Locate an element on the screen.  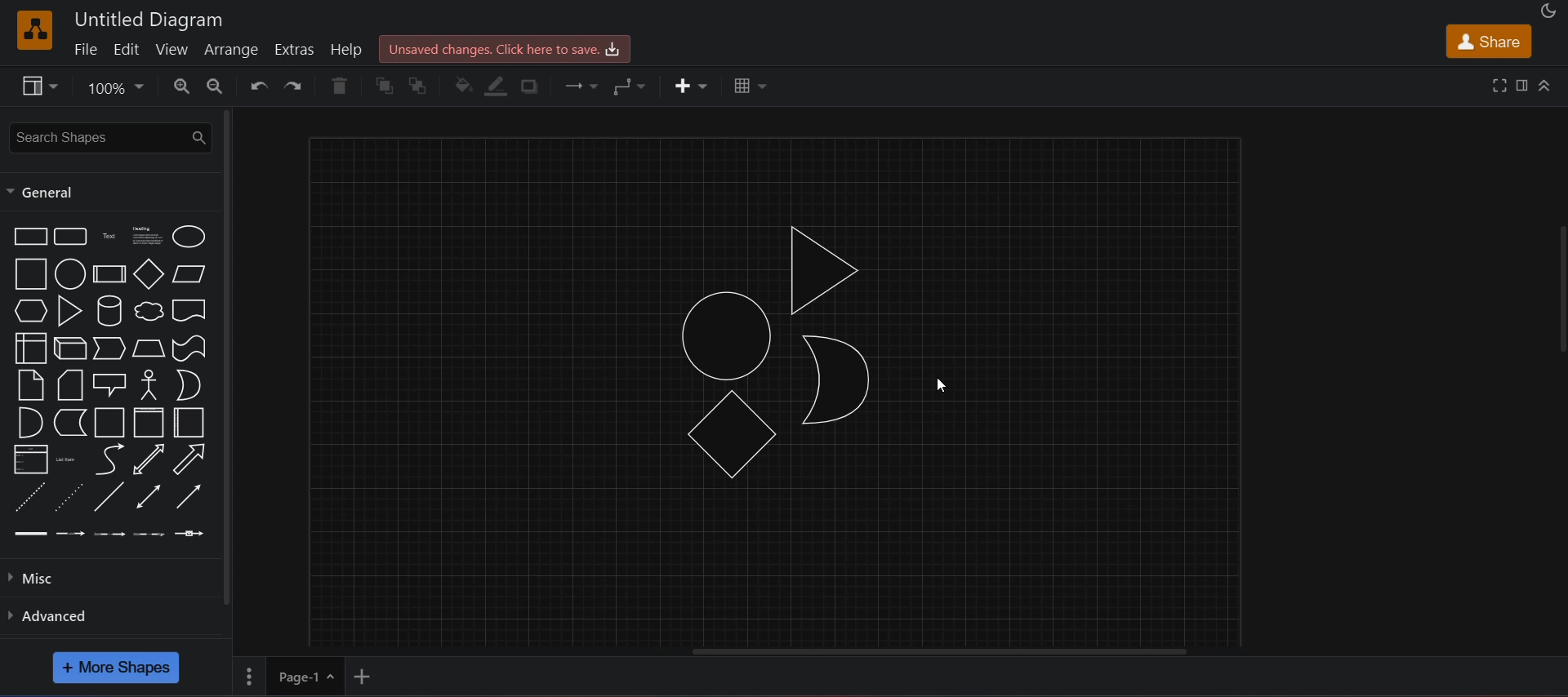
notes is located at coordinates (30, 385).